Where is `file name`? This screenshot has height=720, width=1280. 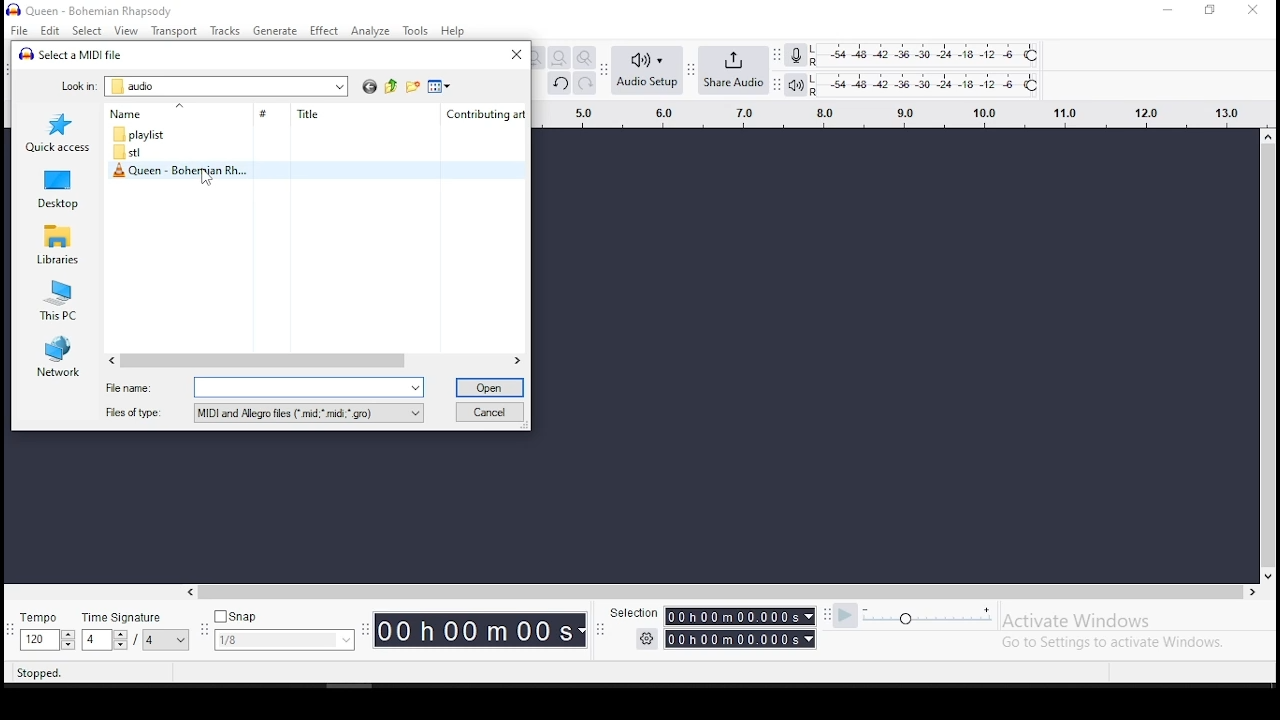
file name is located at coordinates (267, 386).